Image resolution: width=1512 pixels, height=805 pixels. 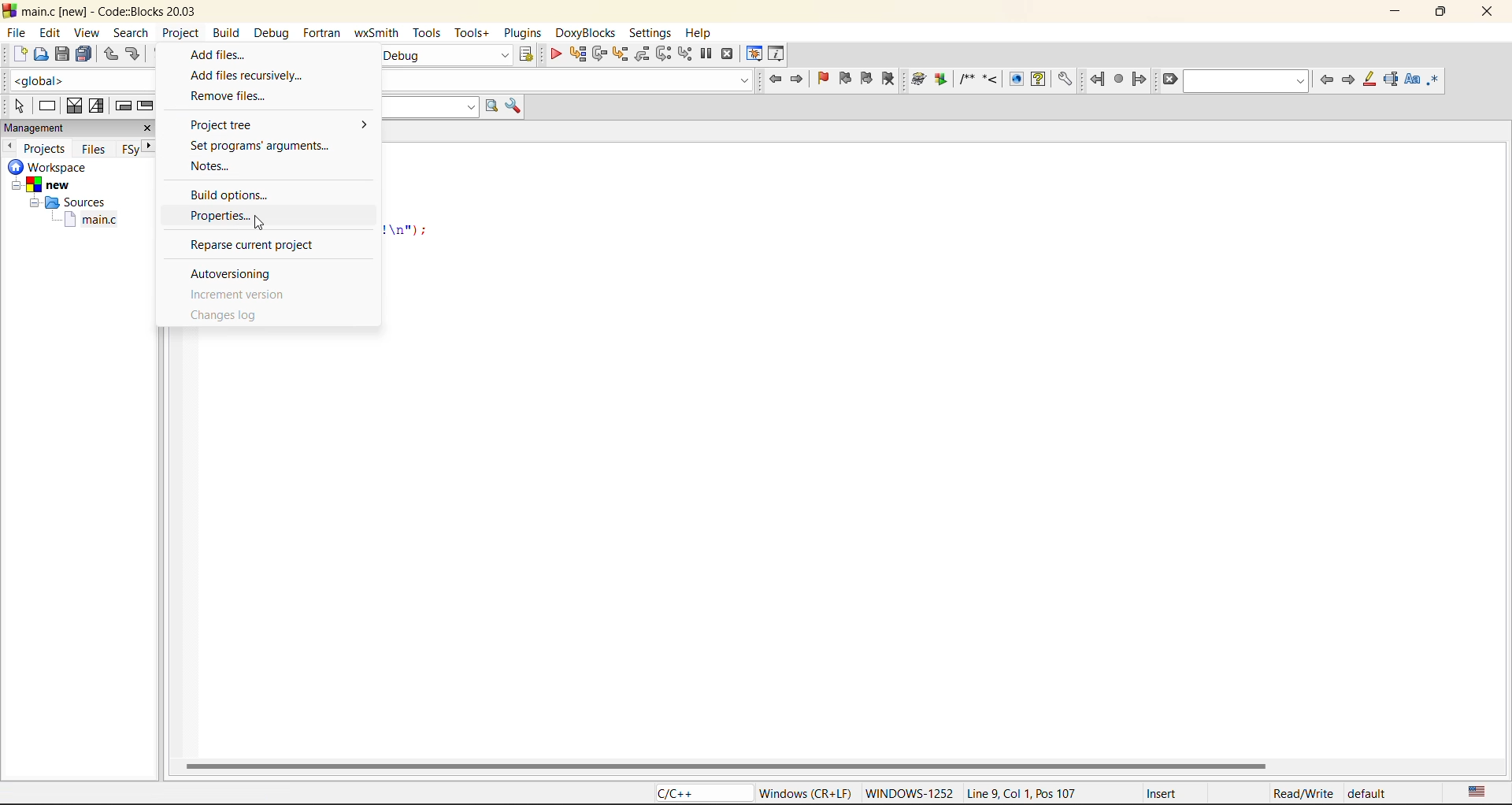 What do you see at coordinates (1393, 79) in the screenshot?
I see `selected text` at bounding box center [1393, 79].